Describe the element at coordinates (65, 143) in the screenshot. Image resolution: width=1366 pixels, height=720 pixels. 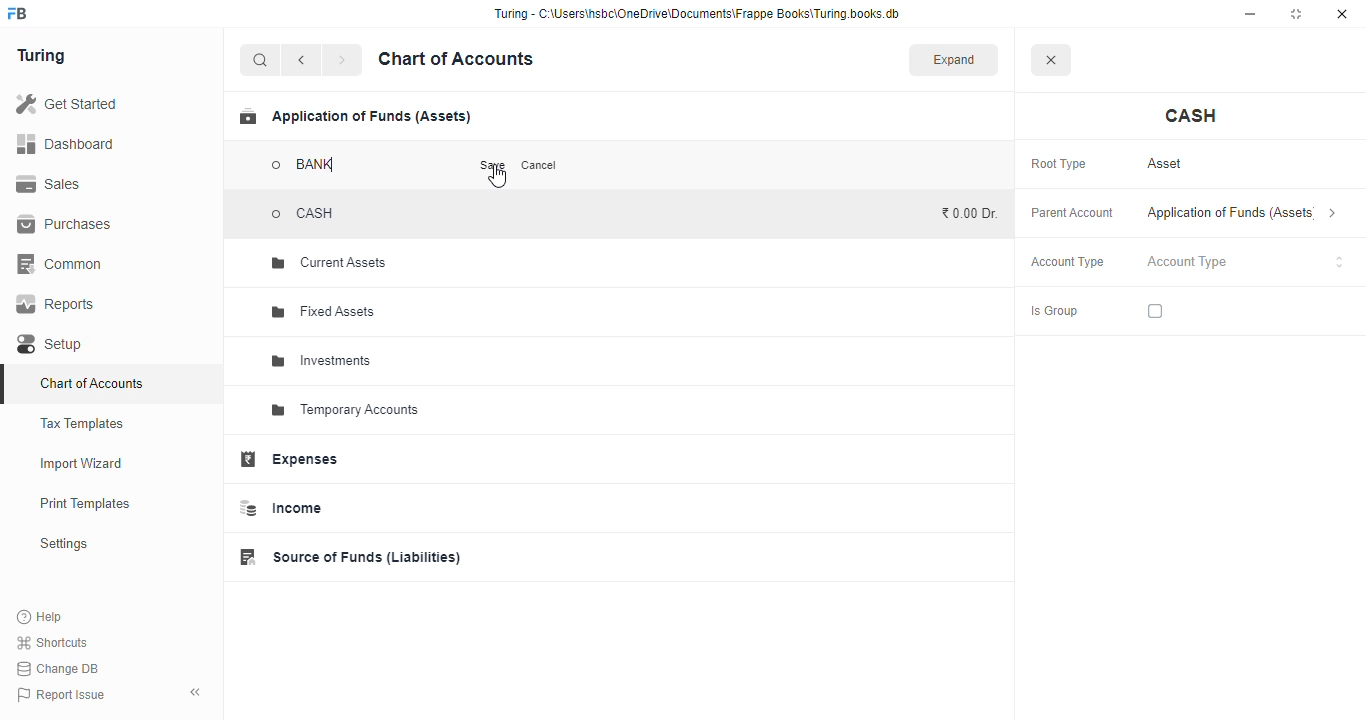
I see `dashboard` at that location.